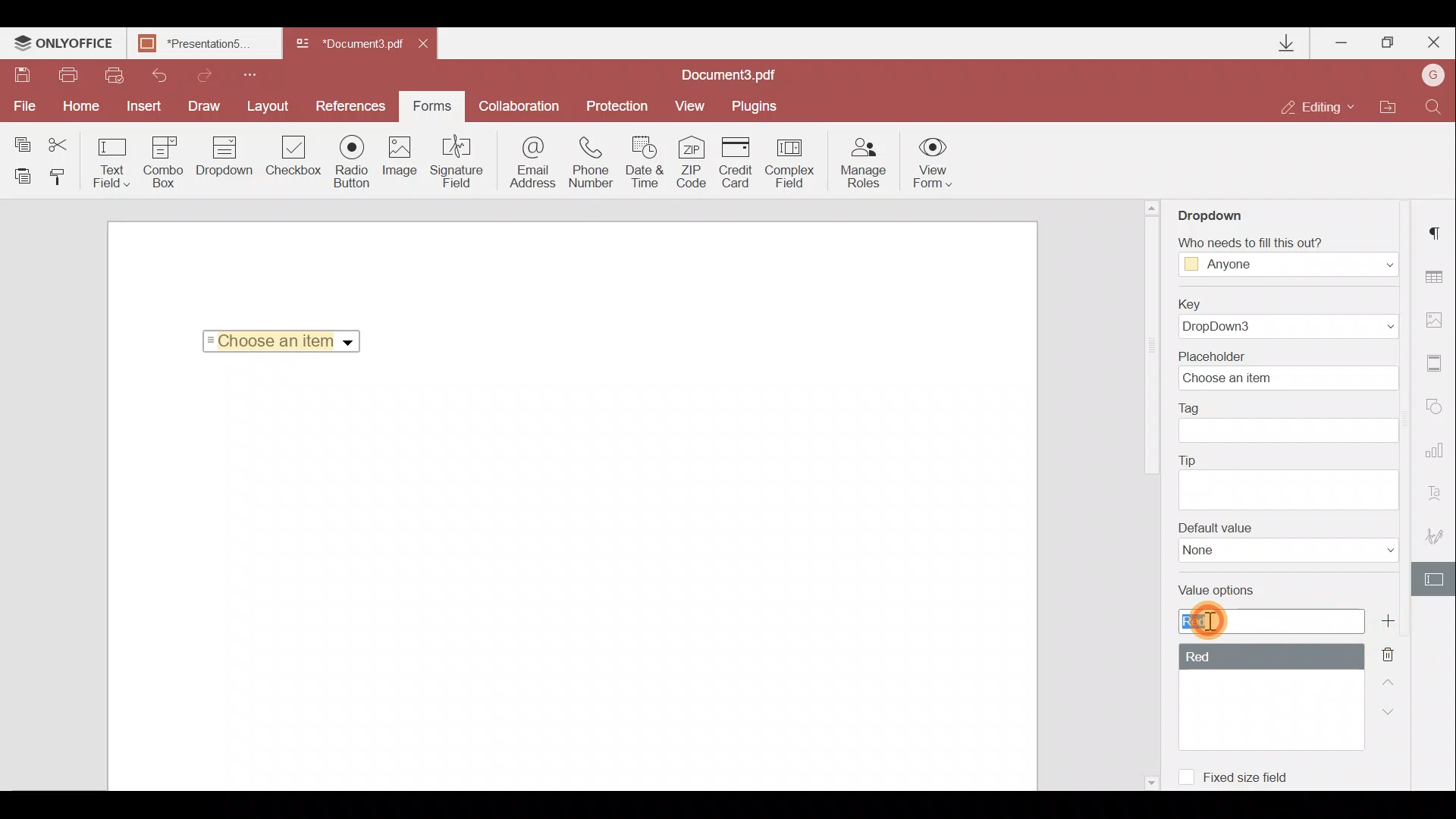 The height and width of the screenshot is (819, 1456). Describe the element at coordinates (1271, 674) in the screenshot. I see `Value options` at that location.